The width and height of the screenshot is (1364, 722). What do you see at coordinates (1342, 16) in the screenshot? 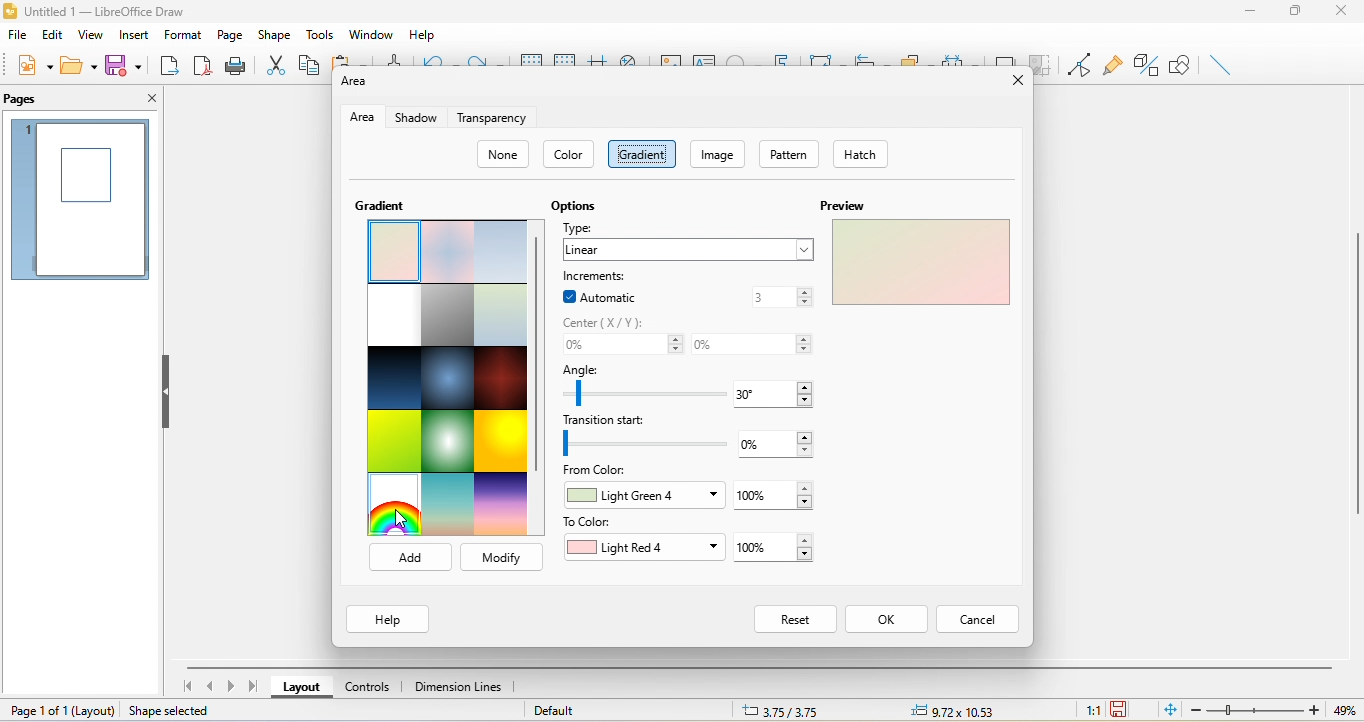
I see `close` at bounding box center [1342, 16].